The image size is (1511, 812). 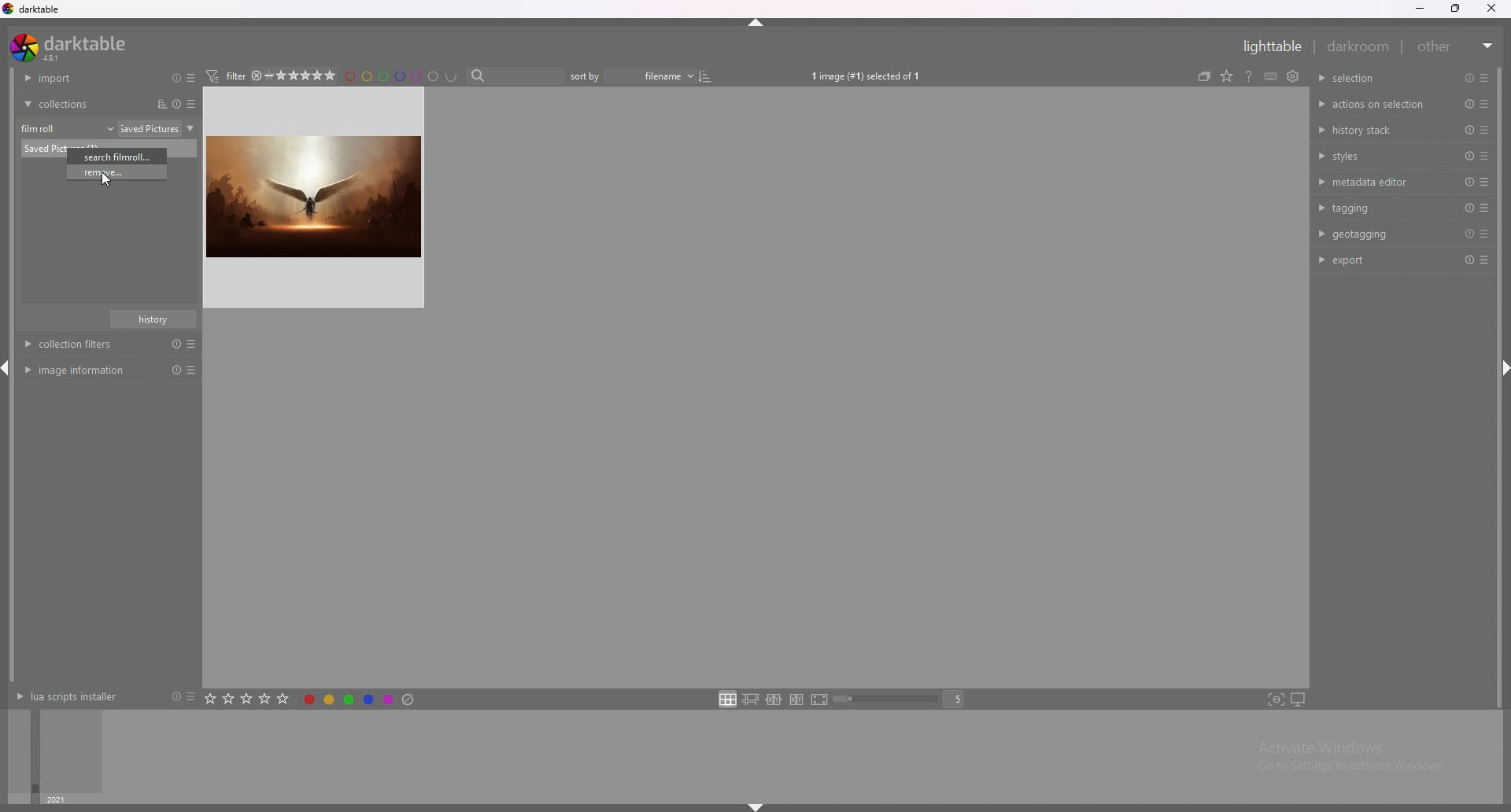 What do you see at coordinates (1494, 9) in the screenshot?
I see `close` at bounding box center [1494, 9].